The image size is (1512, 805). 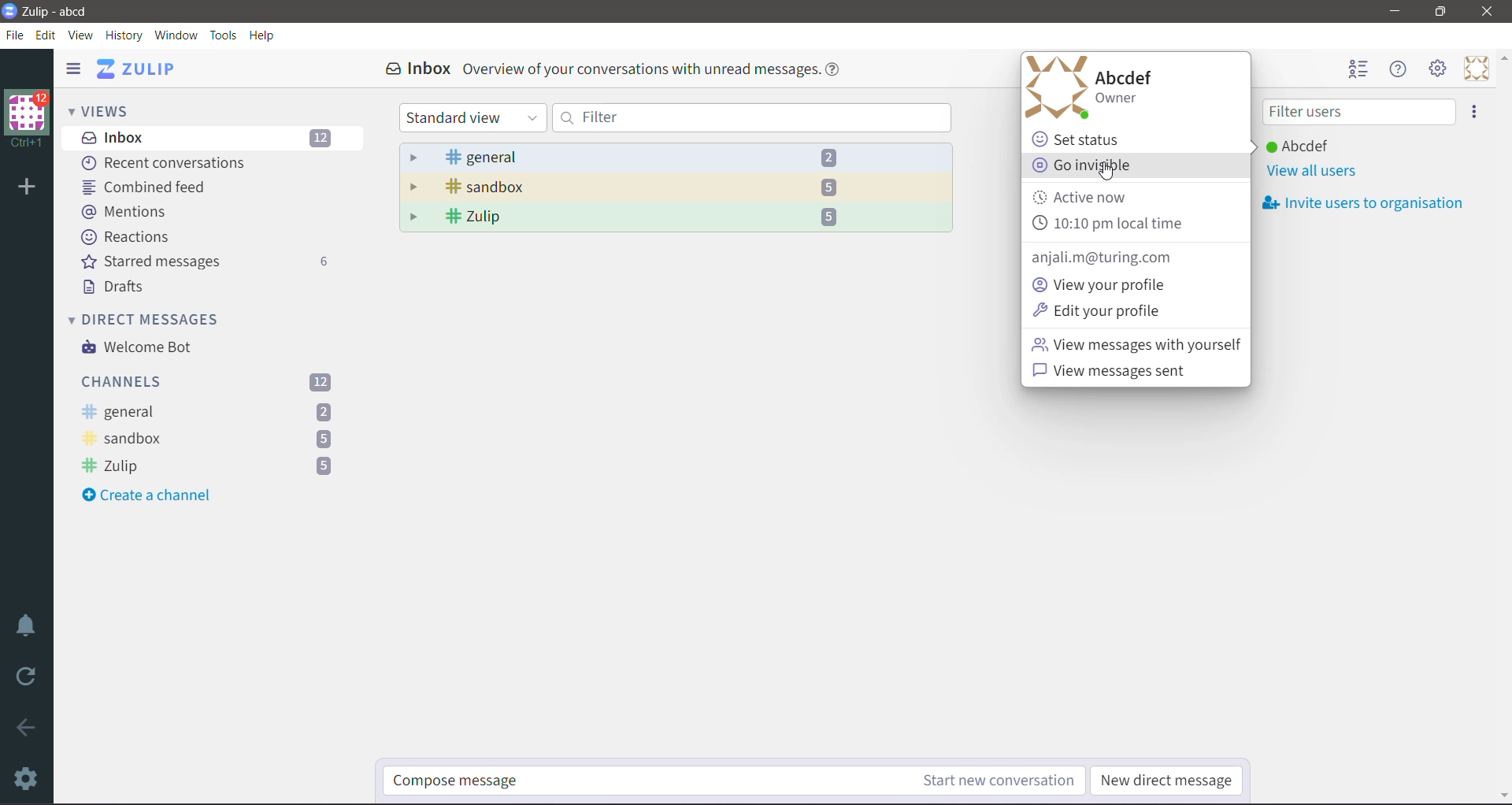 I want to click on Compose message             , so click(x=602, y=782).